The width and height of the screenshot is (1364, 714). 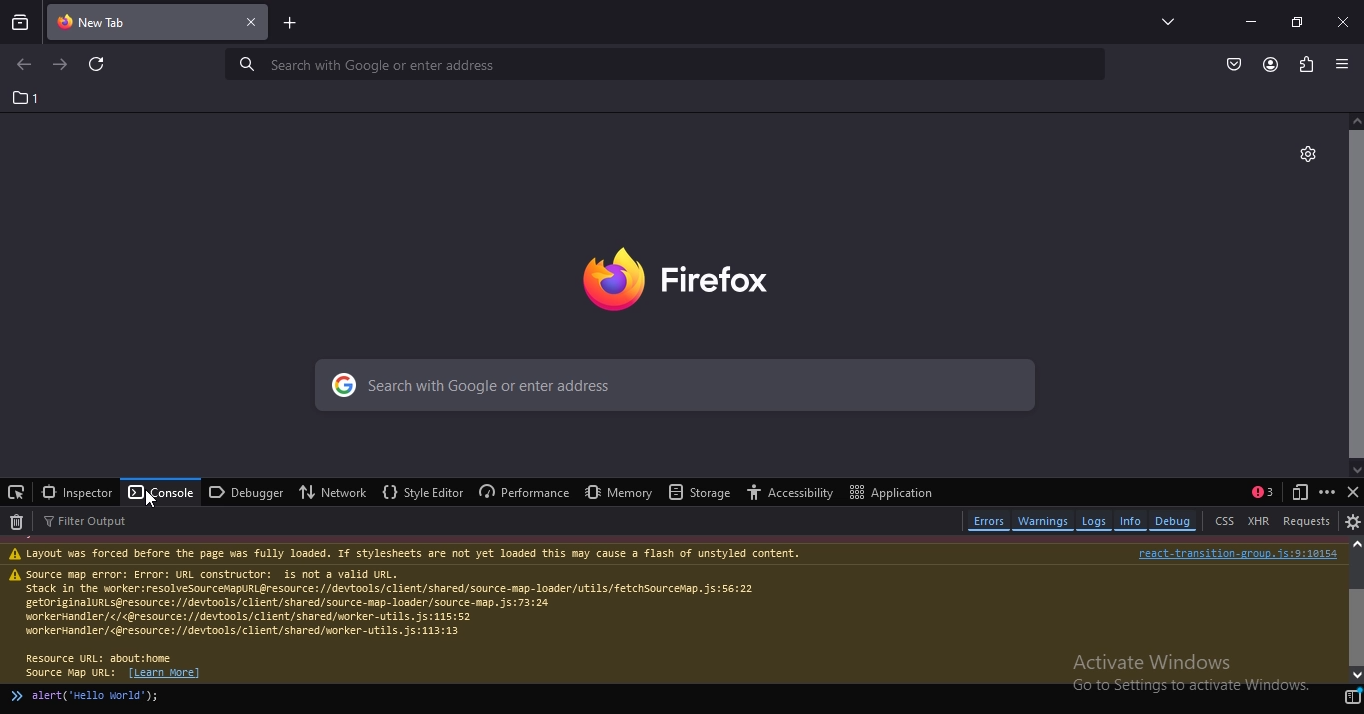 I want to click on restore tab, so click(x=1296, y=21).